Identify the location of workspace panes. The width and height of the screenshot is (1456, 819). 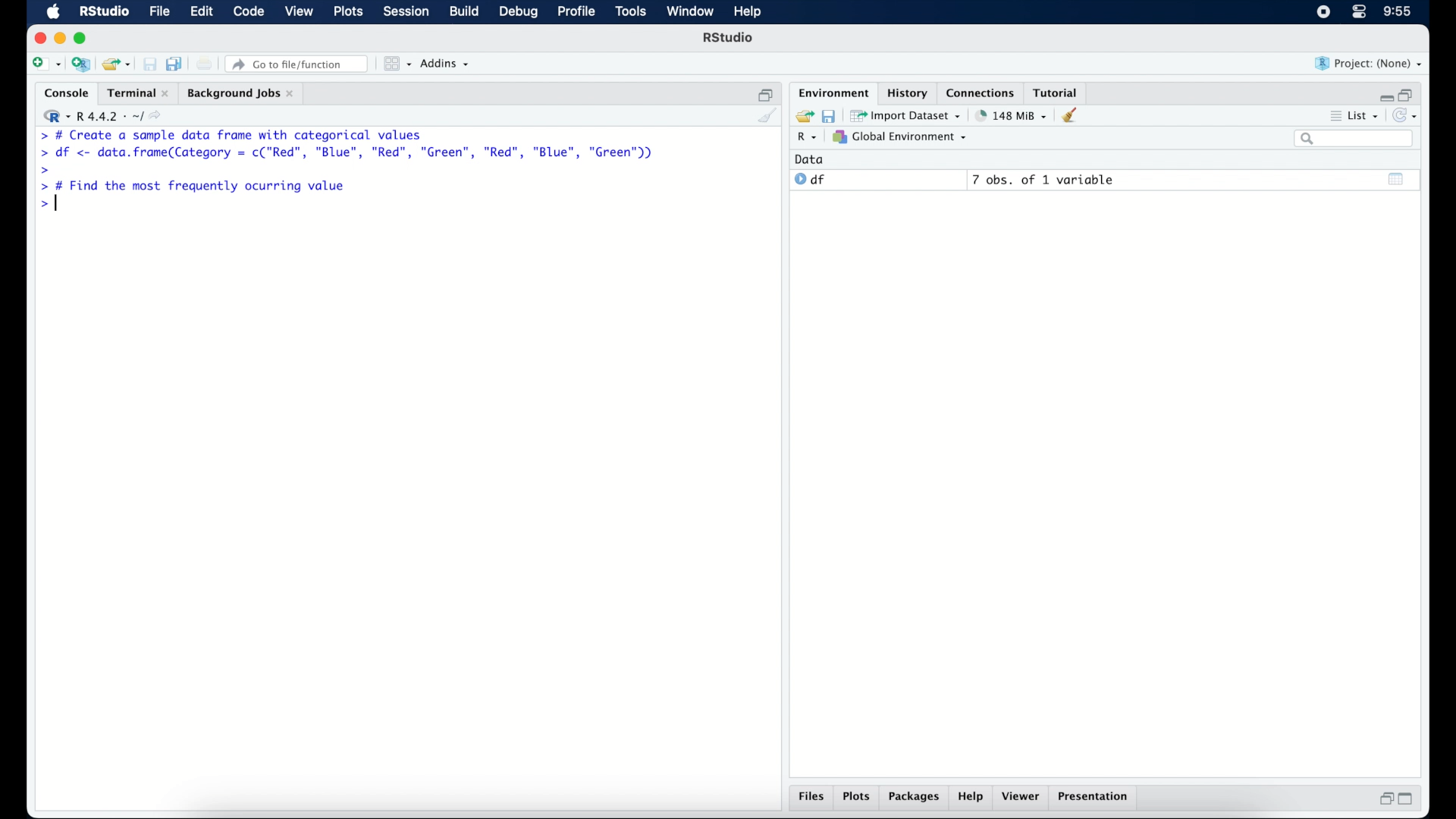
(397, 64).